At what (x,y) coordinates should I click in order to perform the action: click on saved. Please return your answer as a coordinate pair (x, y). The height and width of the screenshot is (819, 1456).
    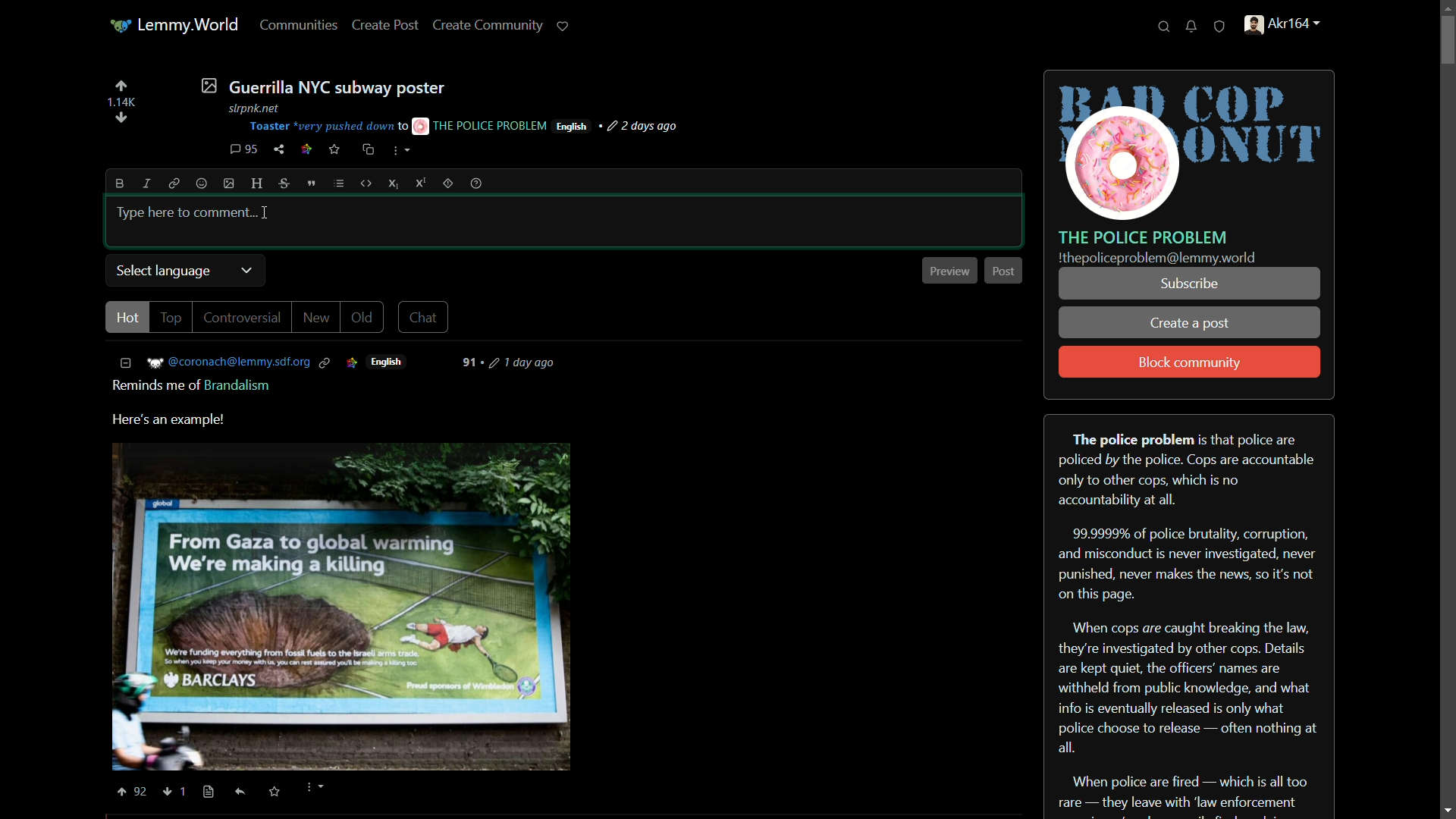
    Looking at the image, I should click on (272, 792).